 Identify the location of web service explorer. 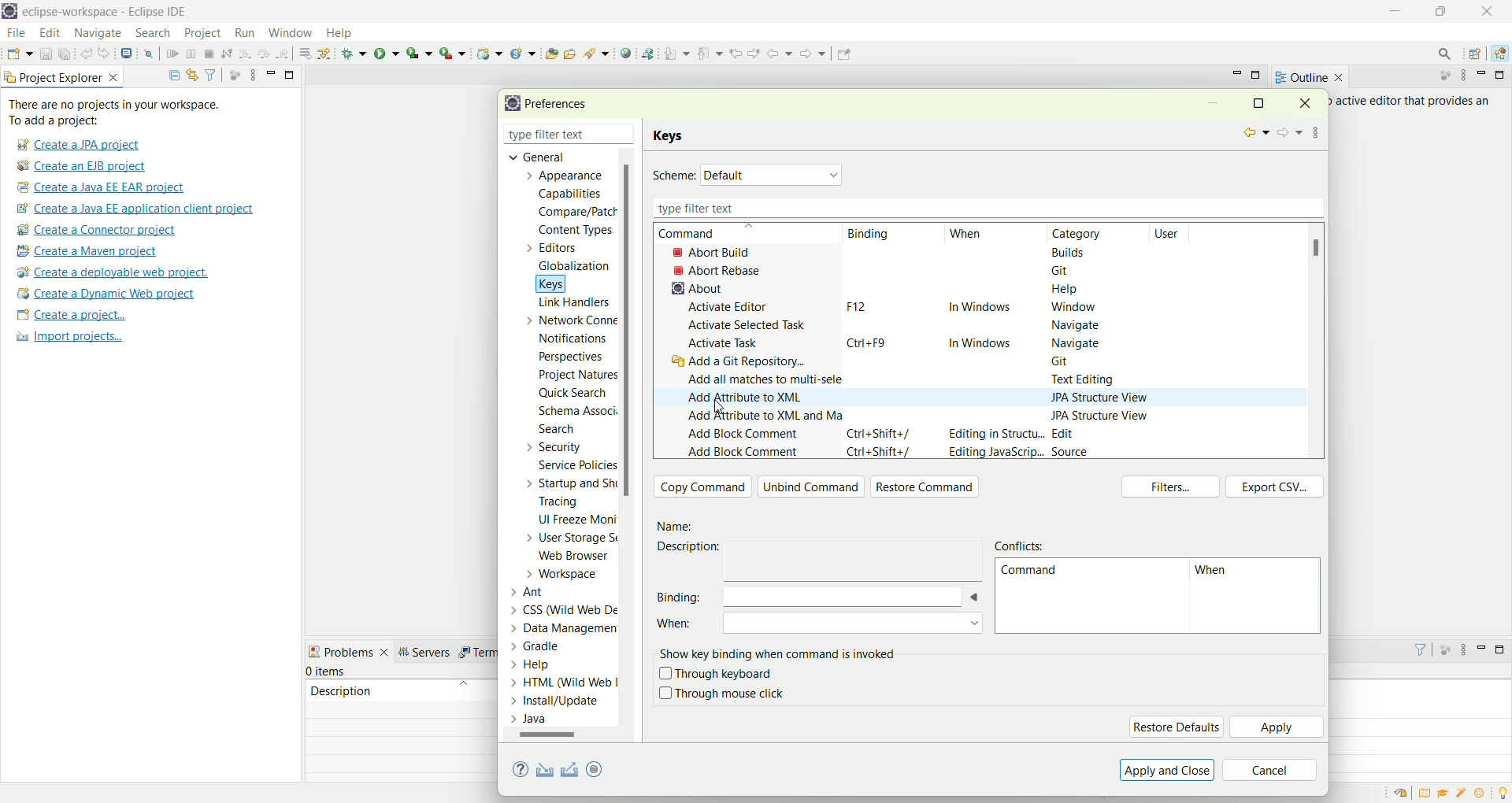
(647, 53).